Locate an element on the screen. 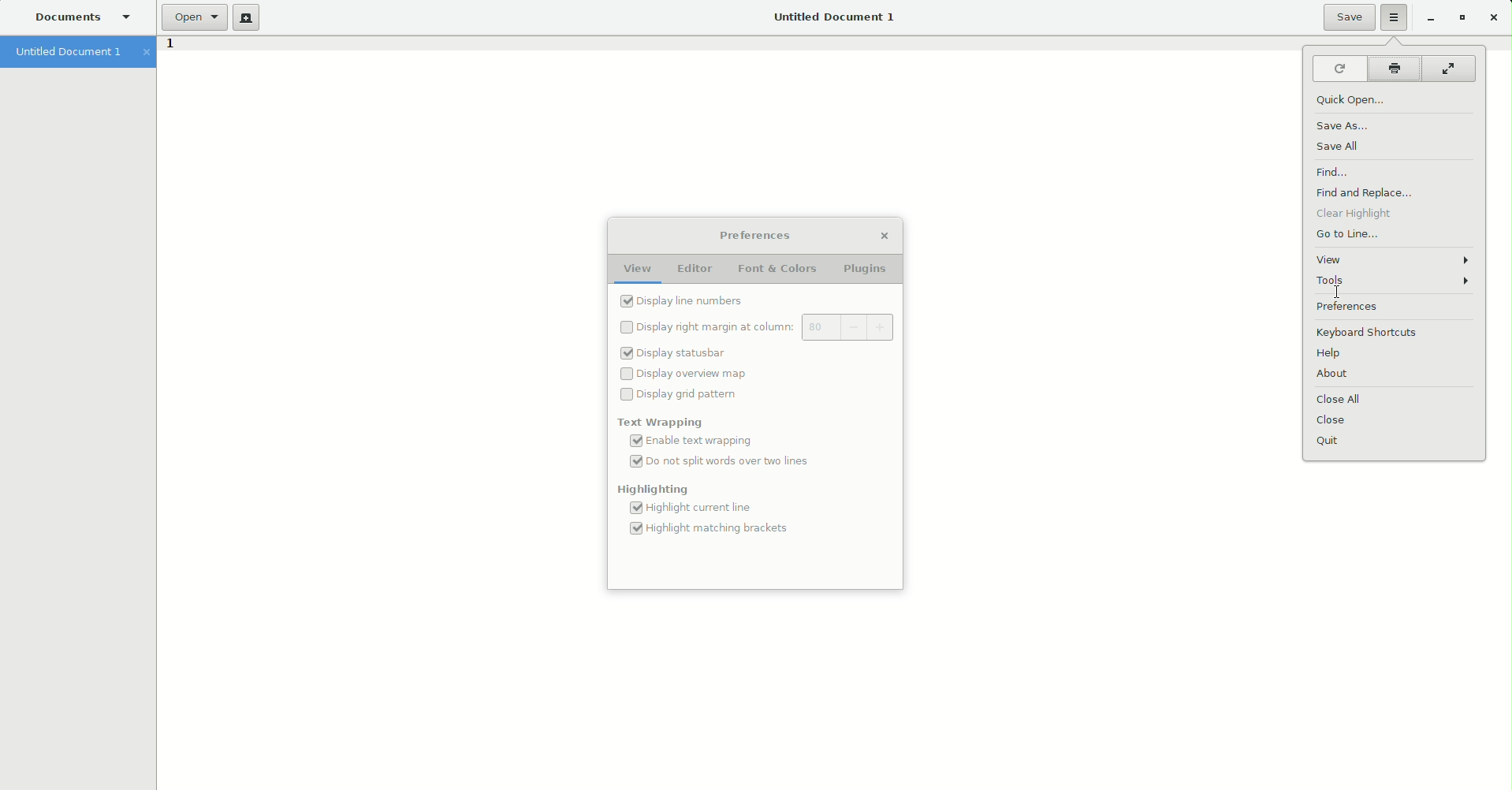  Open is located at coordinates (193, 17).